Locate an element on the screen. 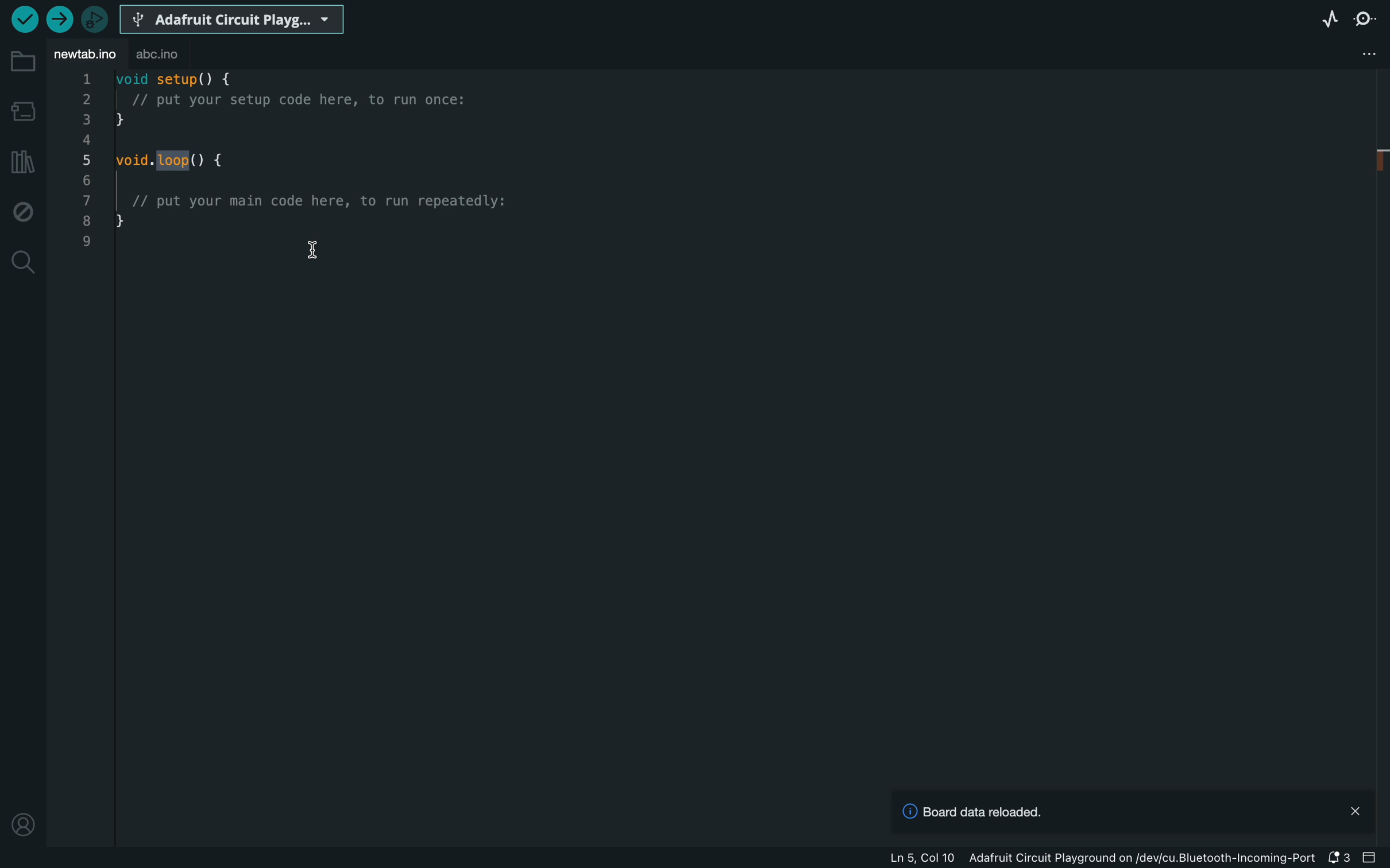 The image size is (1390, 868). close slide bar is located at coordinates (1369, 857).